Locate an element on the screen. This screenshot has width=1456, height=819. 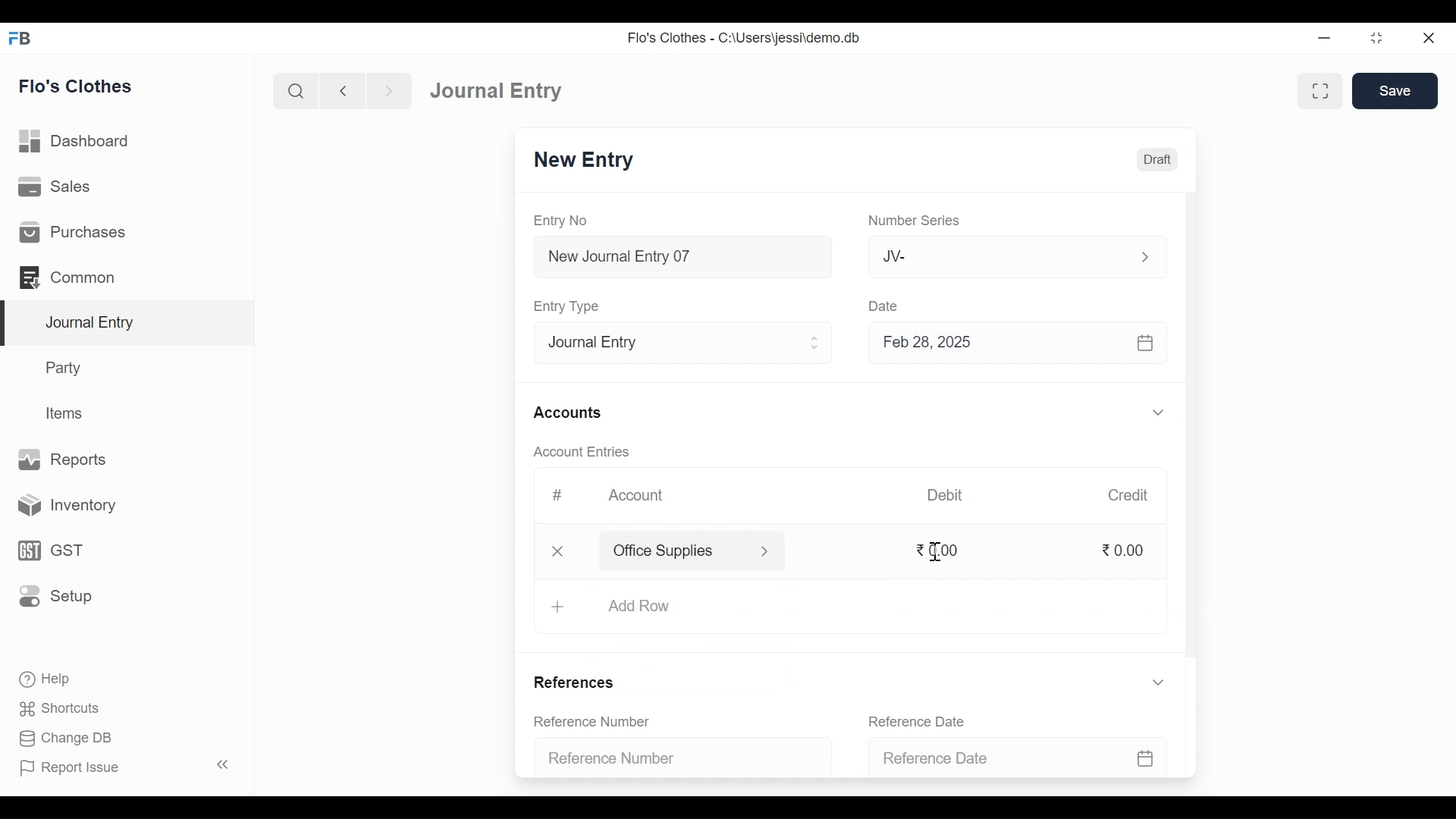
Setup is located at coordinates (55, 595).